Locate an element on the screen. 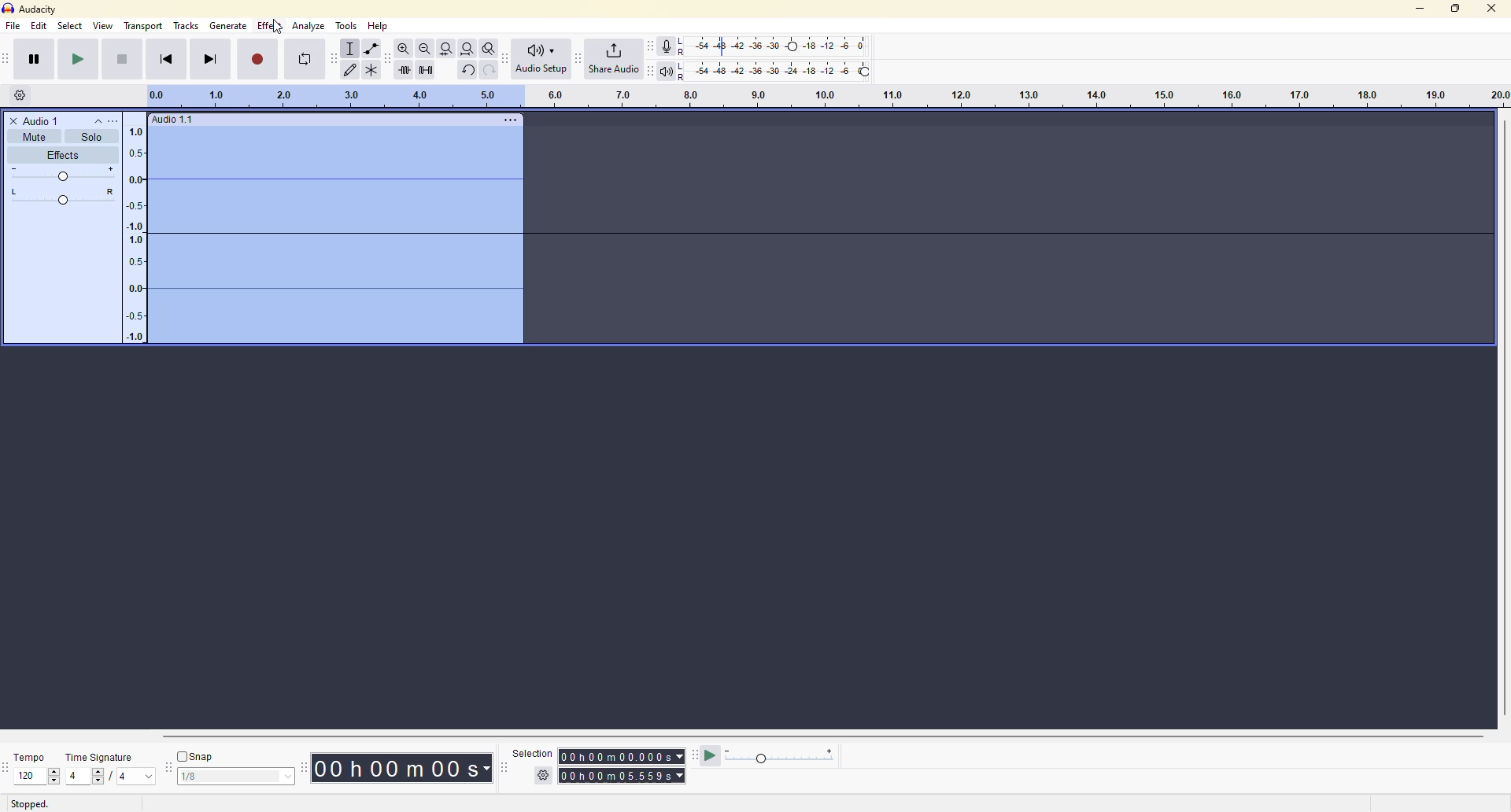 The image size is (1511, 812). audacity tools toolbar is located at coordinates (334, 57).